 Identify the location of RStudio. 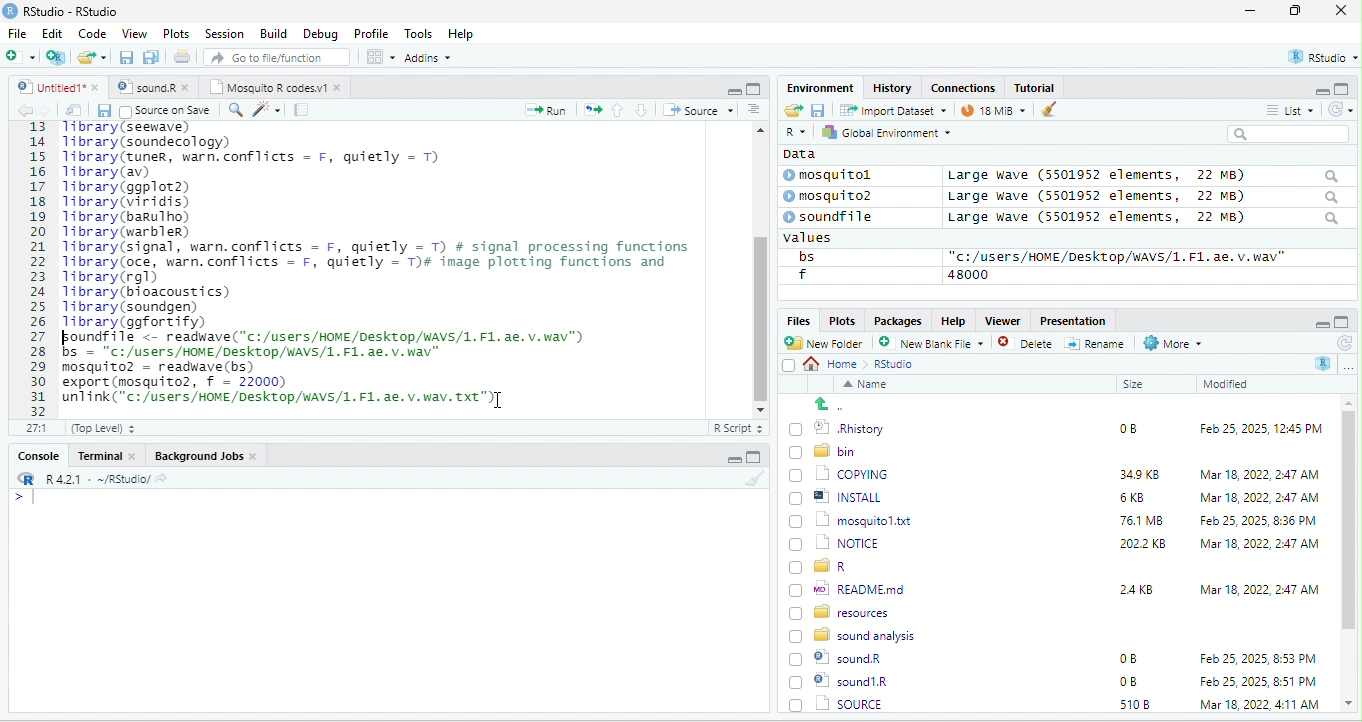
(64, 10).